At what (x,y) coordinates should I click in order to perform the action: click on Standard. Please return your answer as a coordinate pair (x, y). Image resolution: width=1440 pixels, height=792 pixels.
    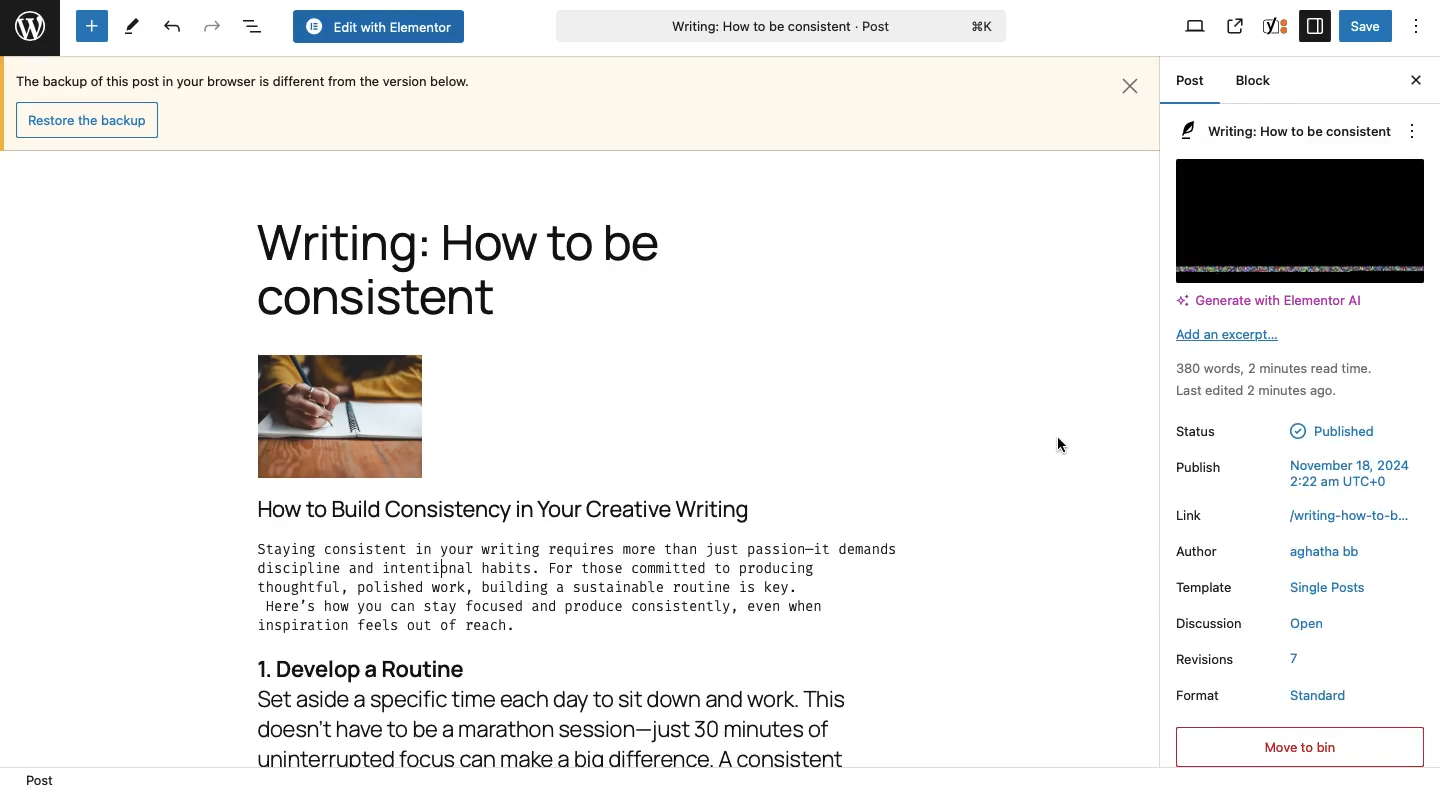
    Looking at the image, I should click on (1318, 696).